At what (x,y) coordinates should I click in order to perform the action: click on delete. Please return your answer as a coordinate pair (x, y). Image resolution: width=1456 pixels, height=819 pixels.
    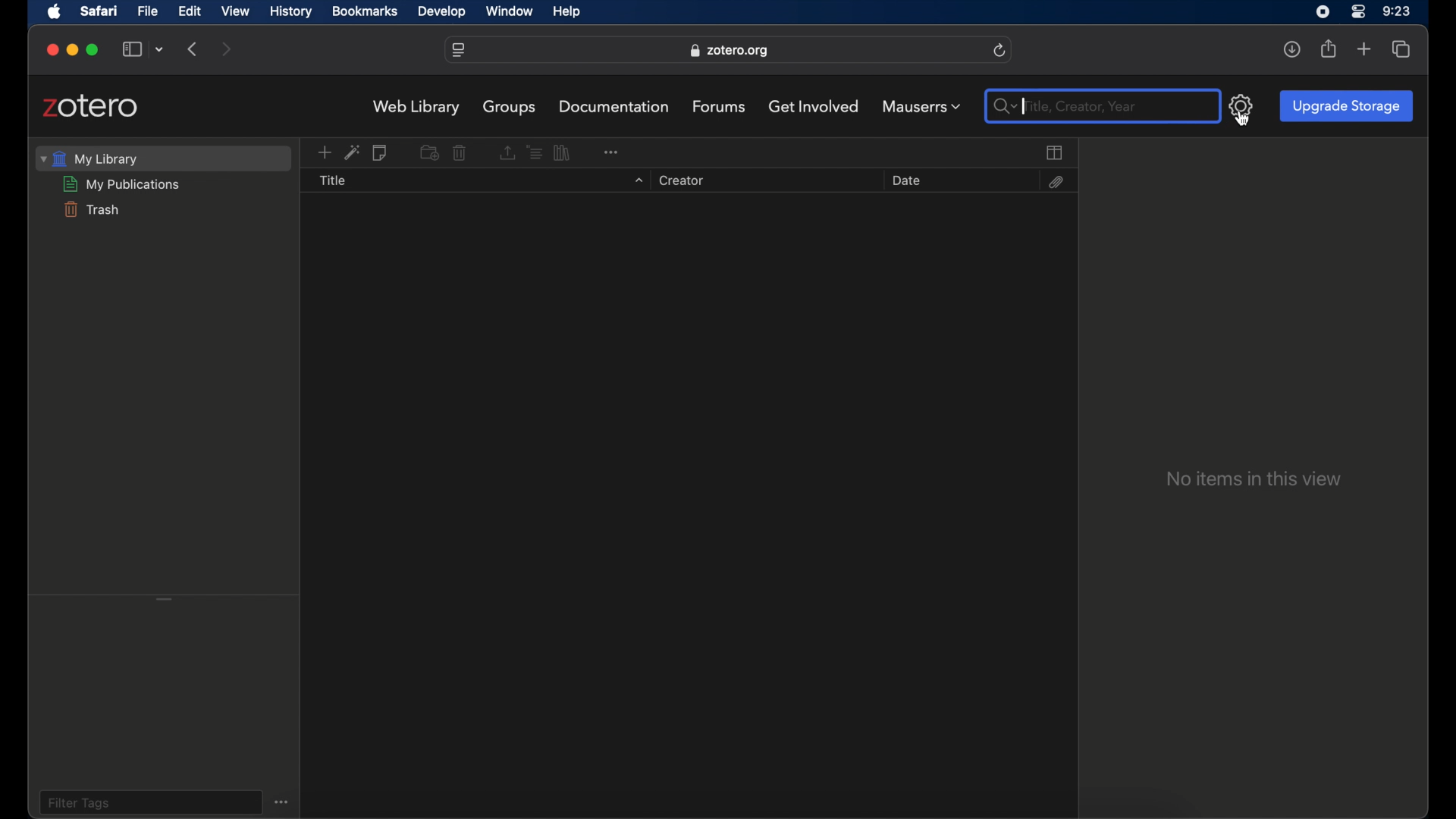
    Looking at the image, I should click on (460, 153).